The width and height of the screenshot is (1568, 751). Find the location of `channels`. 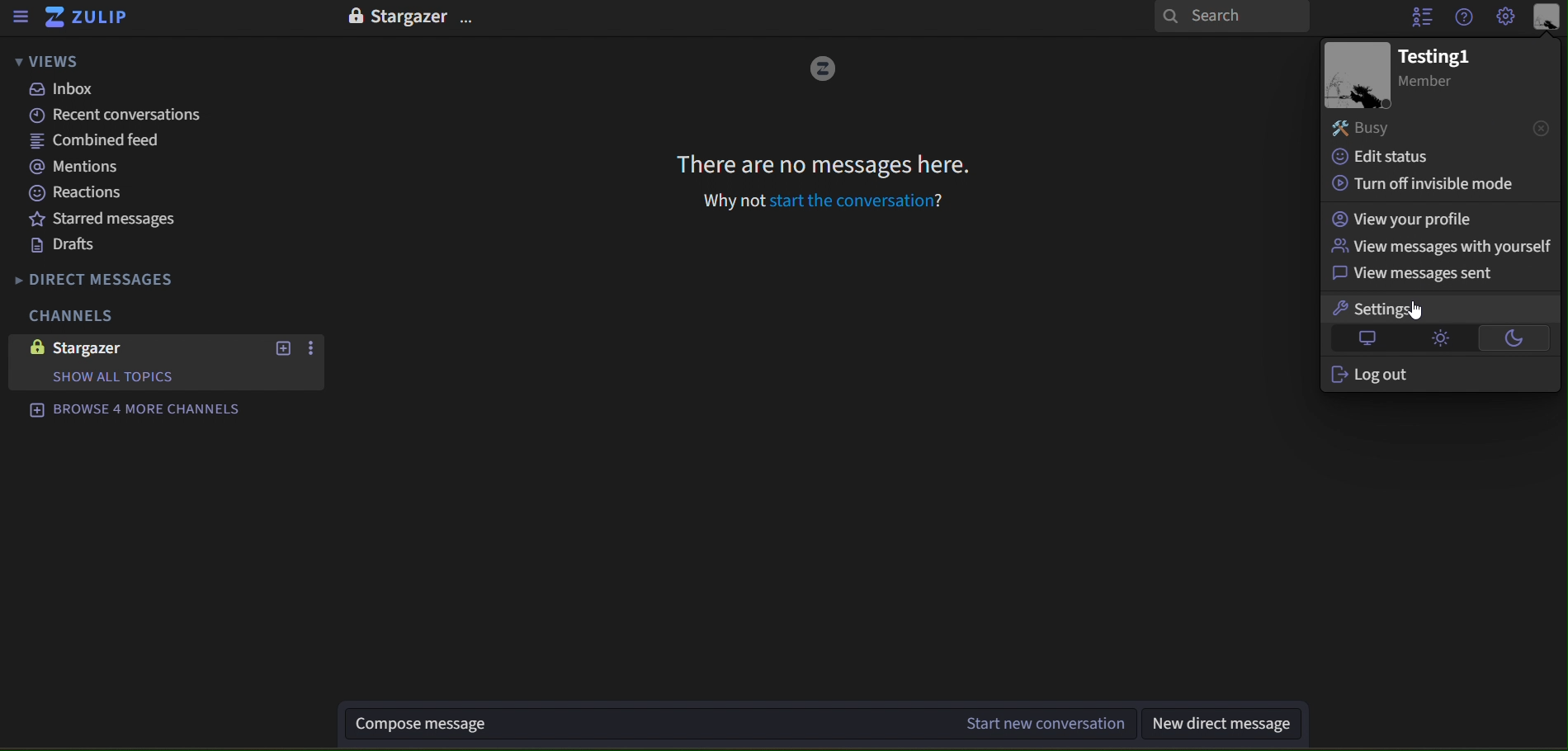

channels is located at coordinates (83, 314).